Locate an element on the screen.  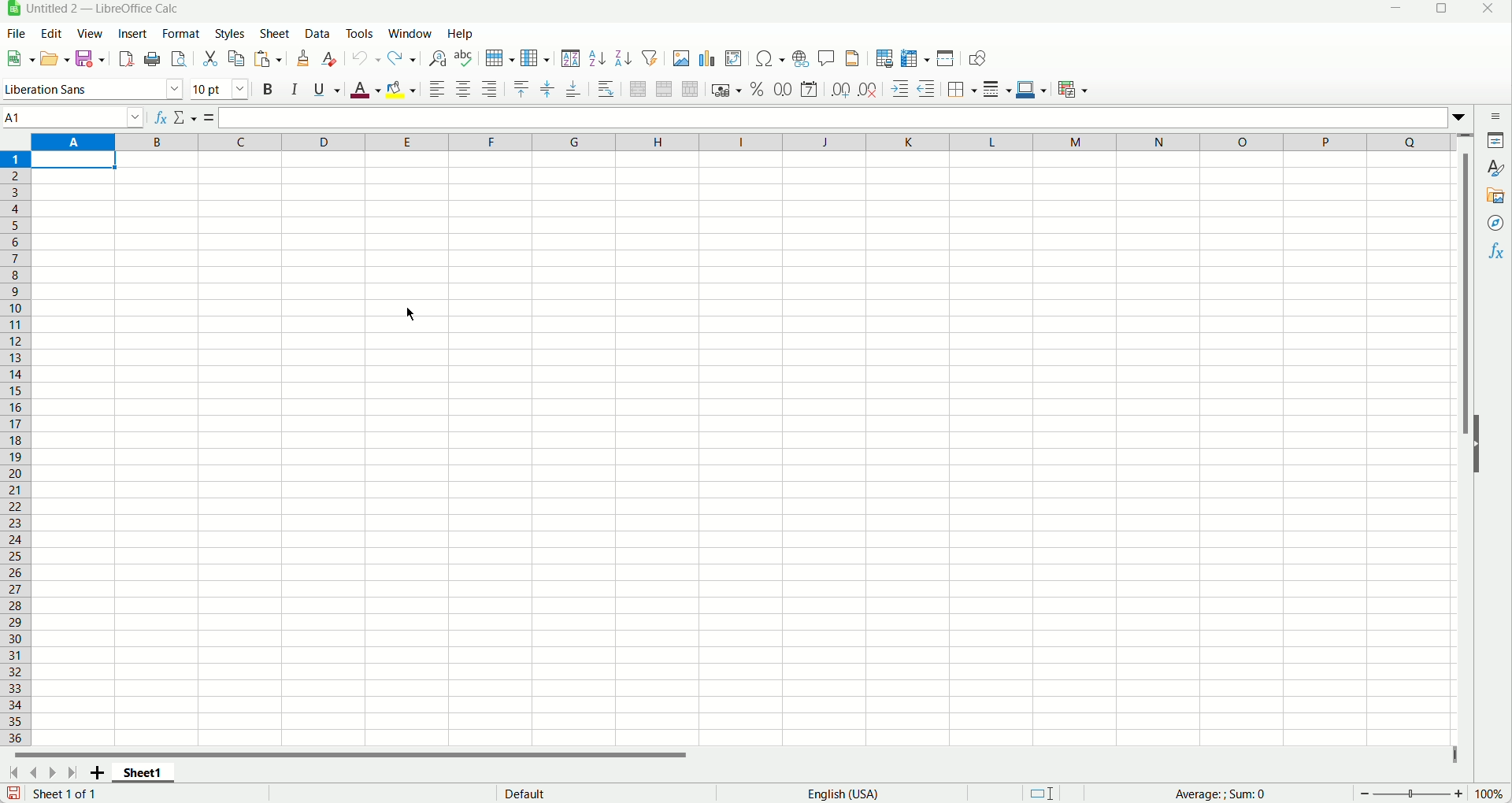
Data is located at coordinates (316, 35).